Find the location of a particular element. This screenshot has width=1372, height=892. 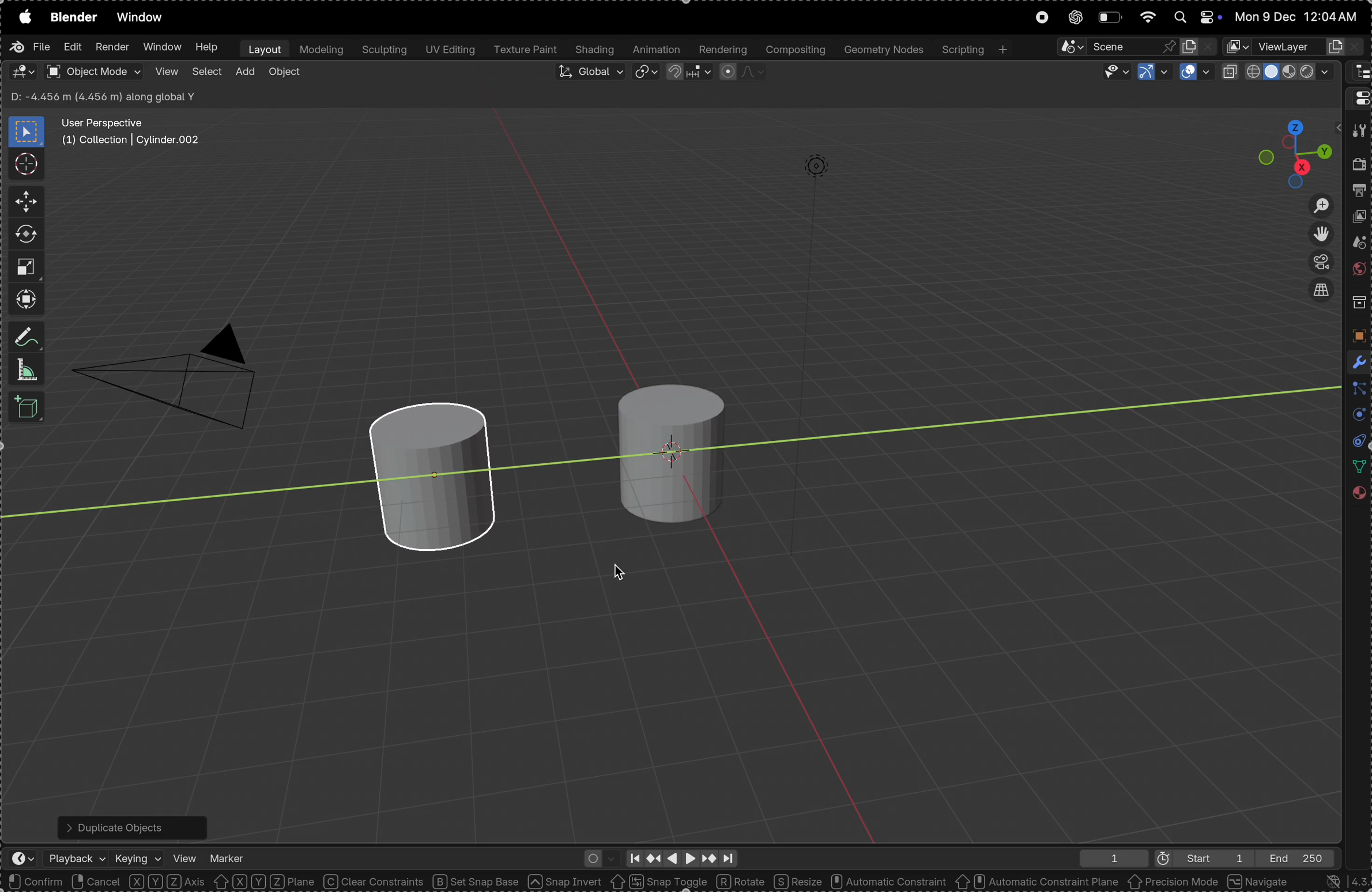

snap is located at coordinates (687, 74).